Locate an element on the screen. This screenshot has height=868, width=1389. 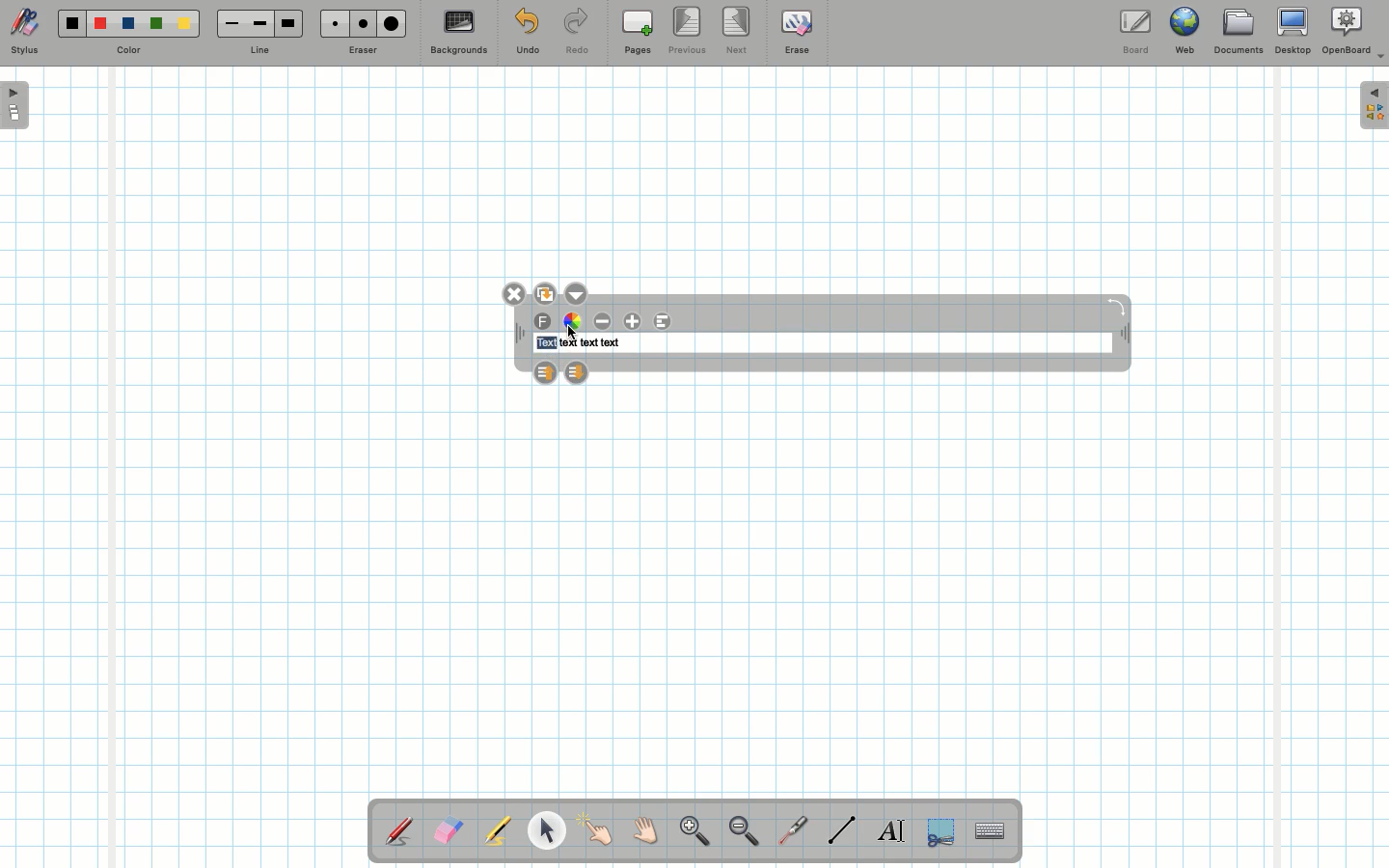
Increase font size is located at coordinates (635, 321).